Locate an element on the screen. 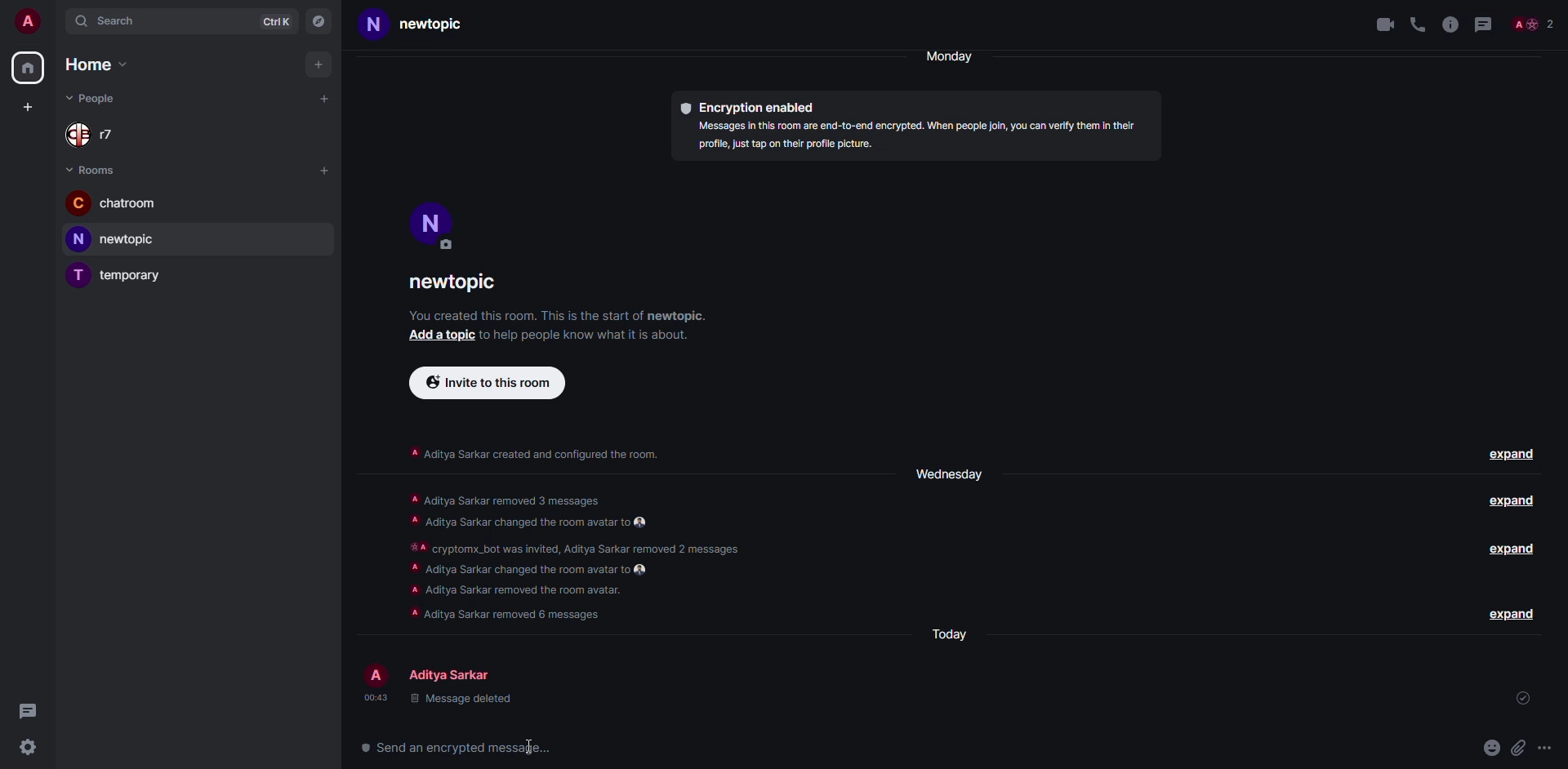  add is located at coordinates (25, 109).